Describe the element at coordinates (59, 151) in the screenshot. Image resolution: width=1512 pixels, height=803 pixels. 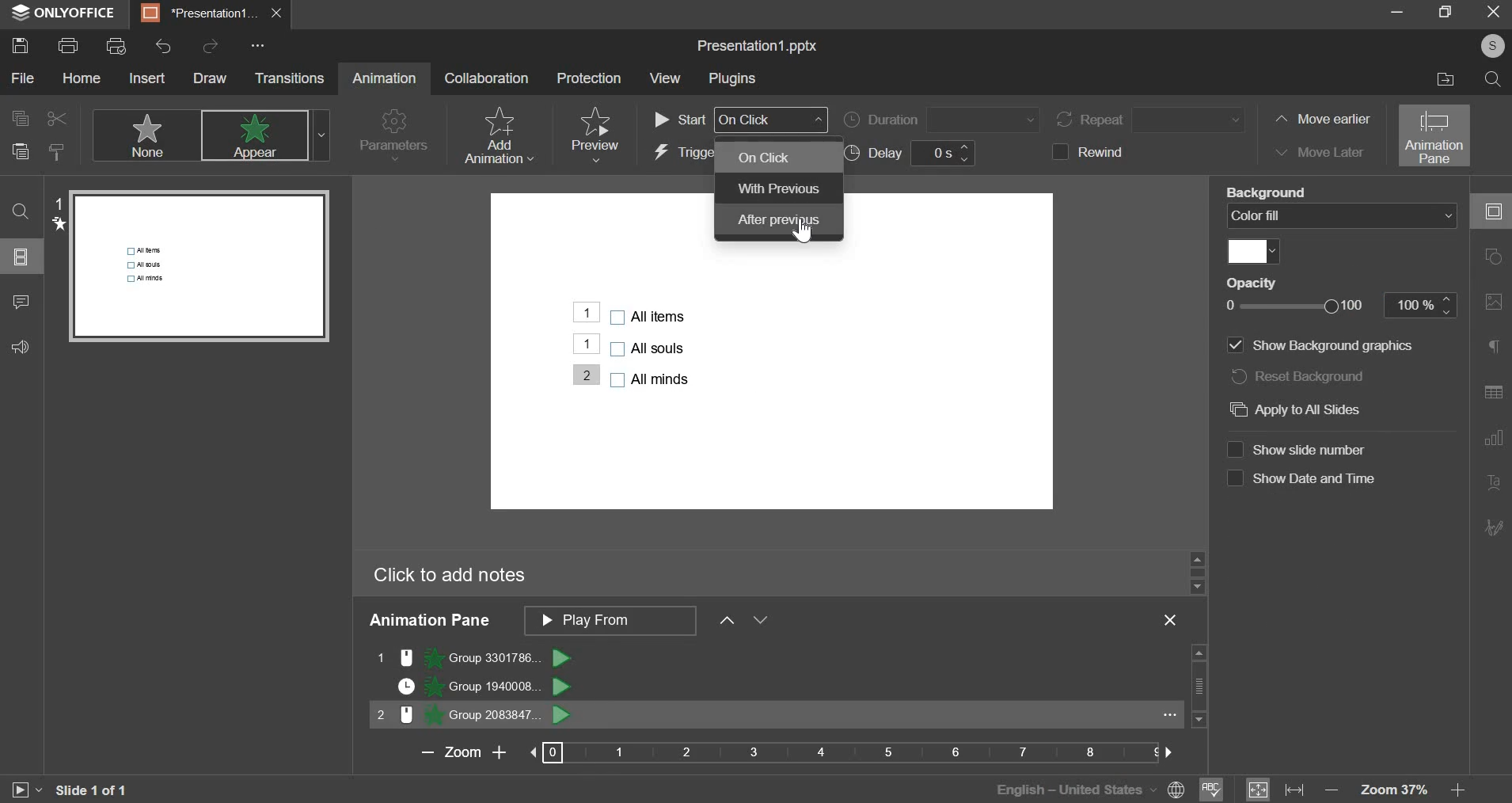
I see `copy style` at that location.